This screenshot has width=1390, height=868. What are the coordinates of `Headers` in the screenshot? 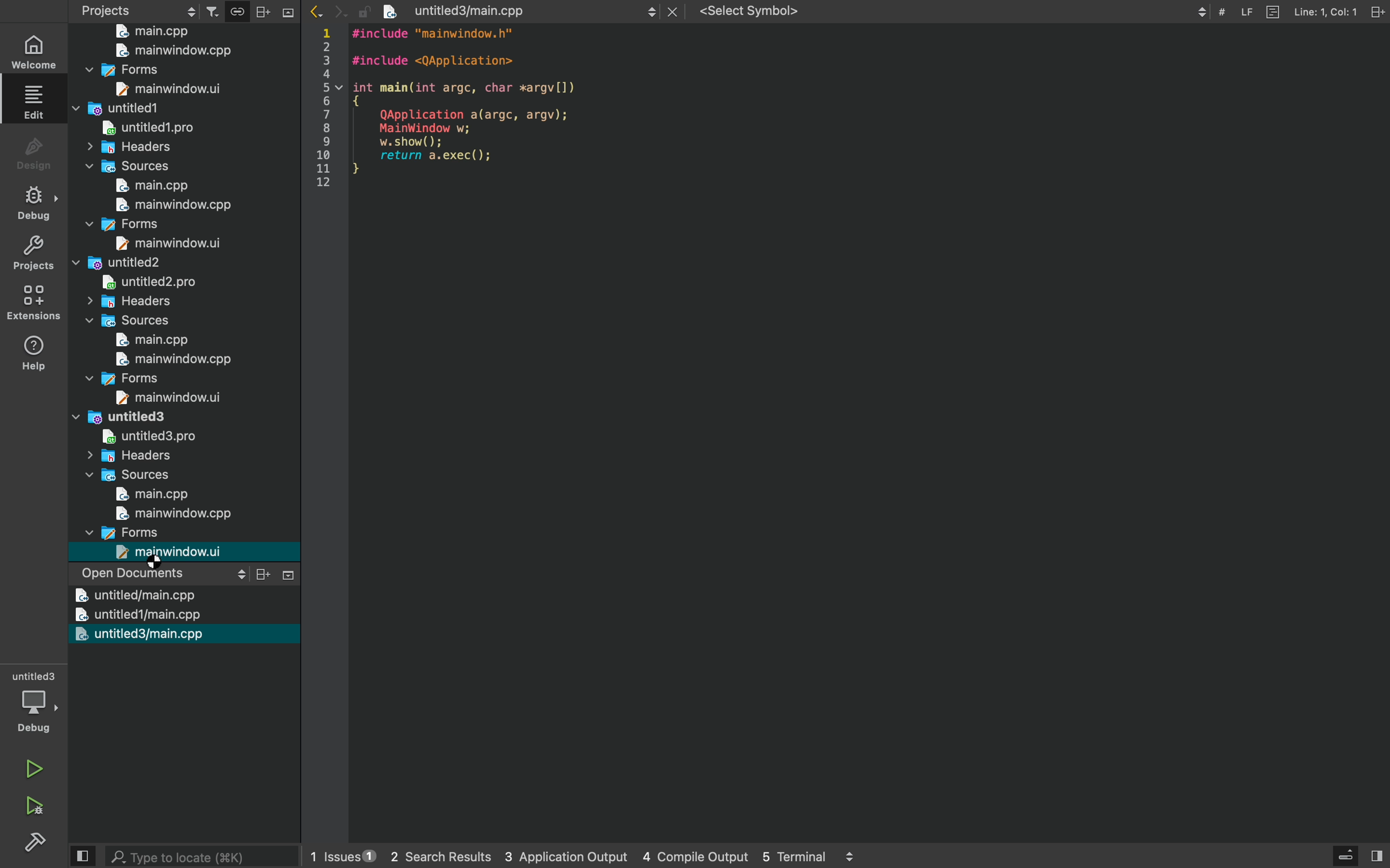 It's located at (130, 321).